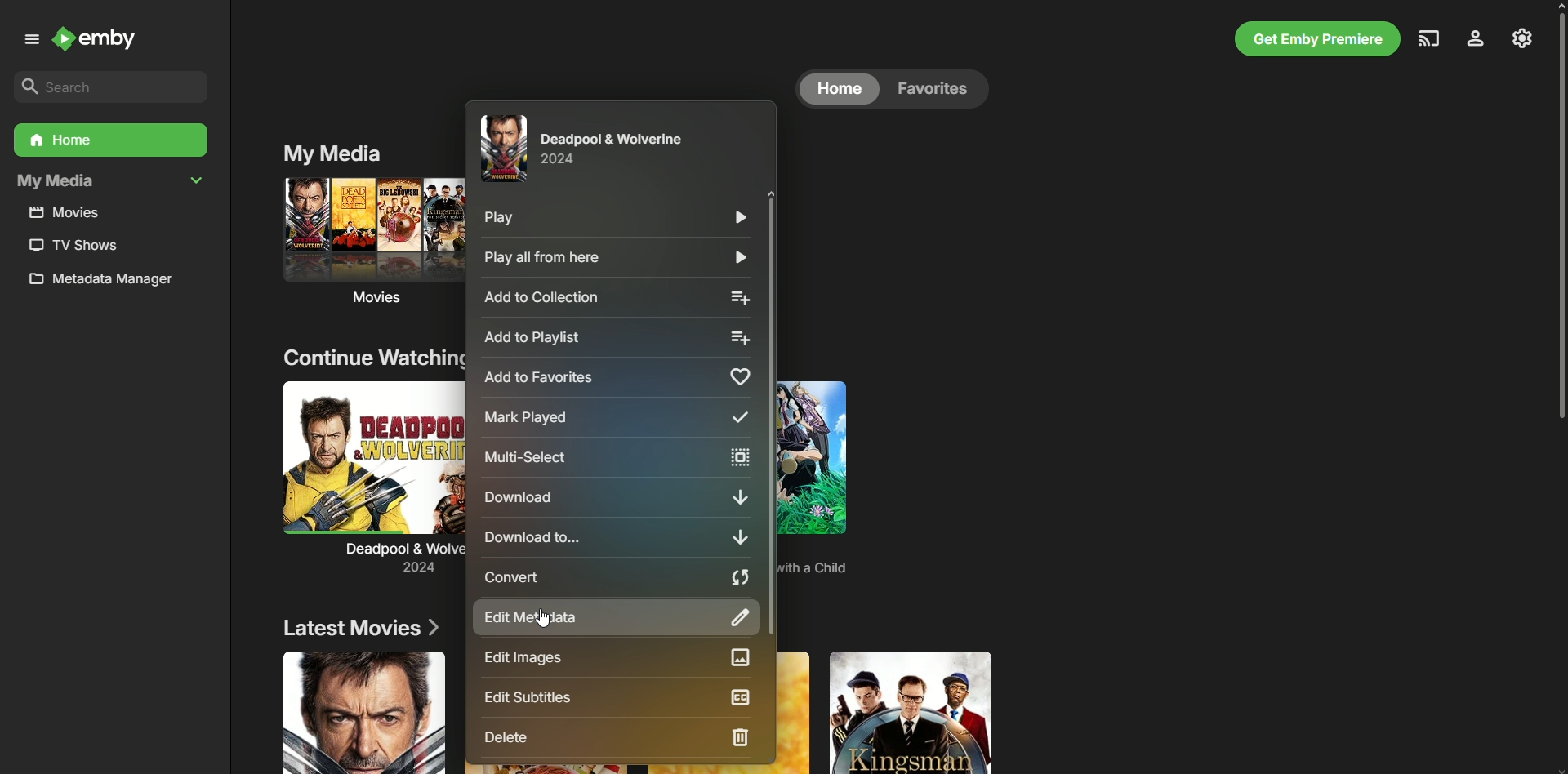 Image resolution: width=1568 pixels, height=774 pixels. I want to click on Download, so click(618, 496).